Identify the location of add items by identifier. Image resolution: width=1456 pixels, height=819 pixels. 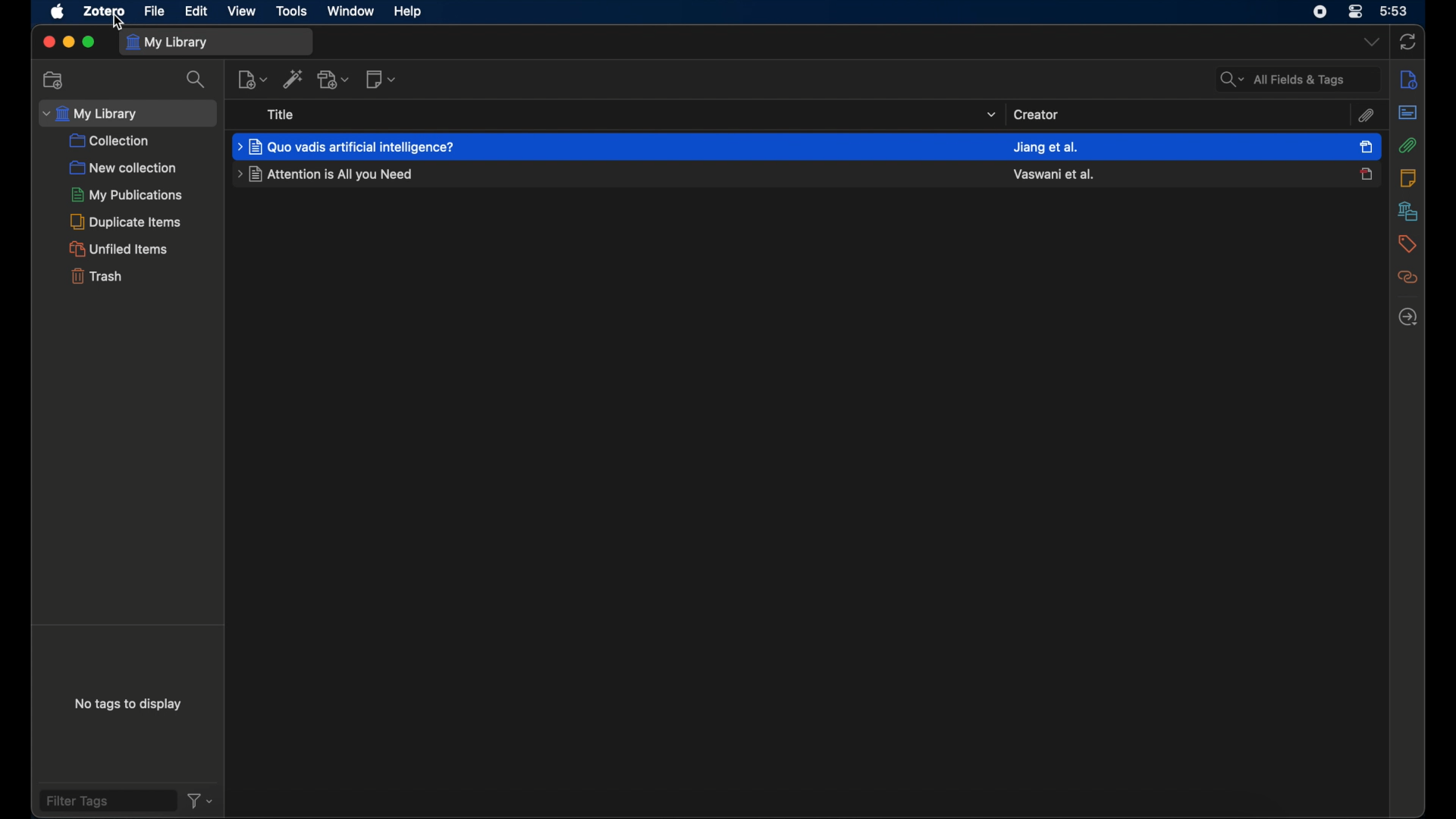
(293, 79).